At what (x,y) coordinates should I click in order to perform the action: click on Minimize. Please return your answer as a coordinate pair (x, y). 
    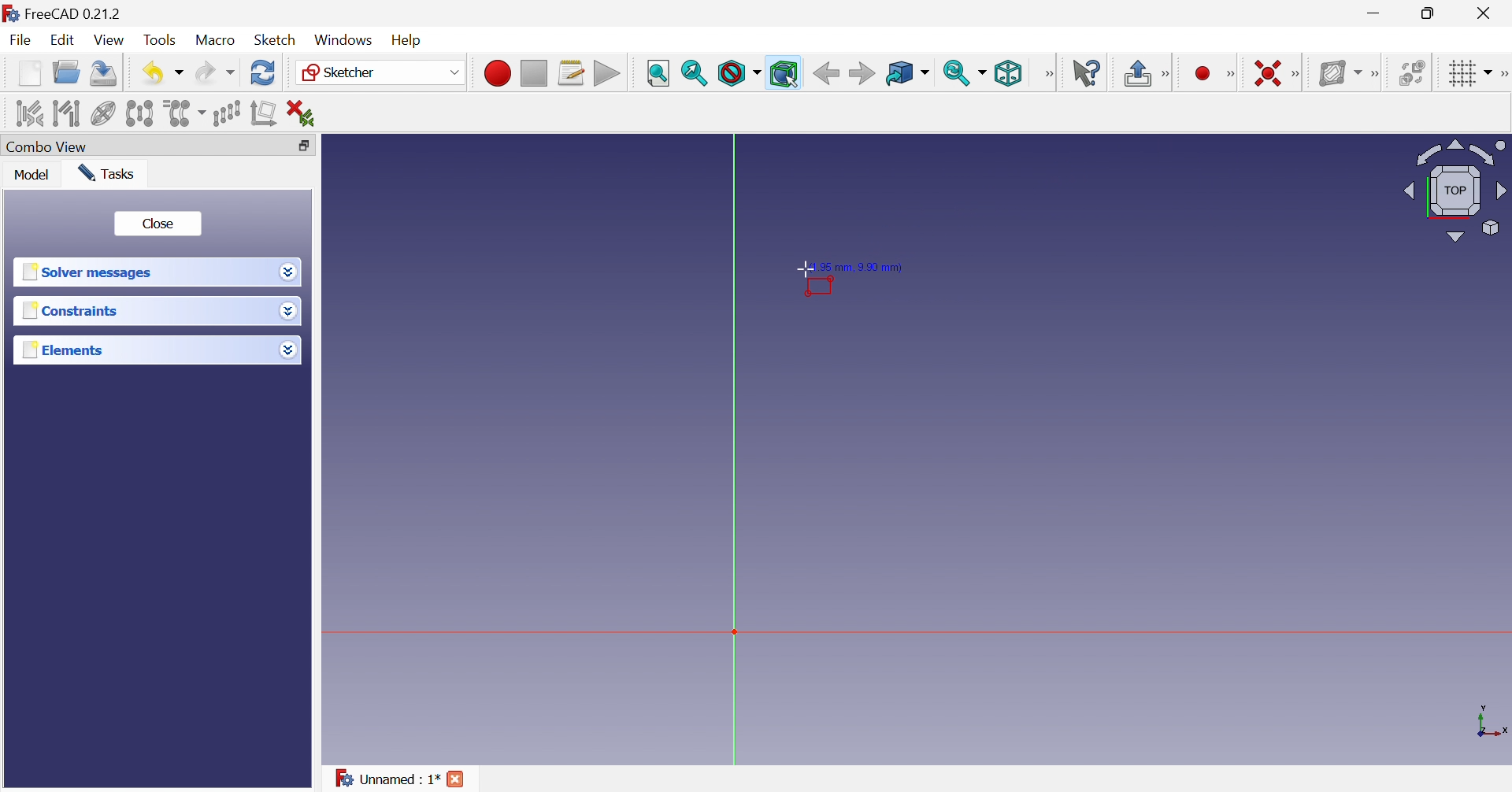
    Looking at the image, I should click on (1379, 12).